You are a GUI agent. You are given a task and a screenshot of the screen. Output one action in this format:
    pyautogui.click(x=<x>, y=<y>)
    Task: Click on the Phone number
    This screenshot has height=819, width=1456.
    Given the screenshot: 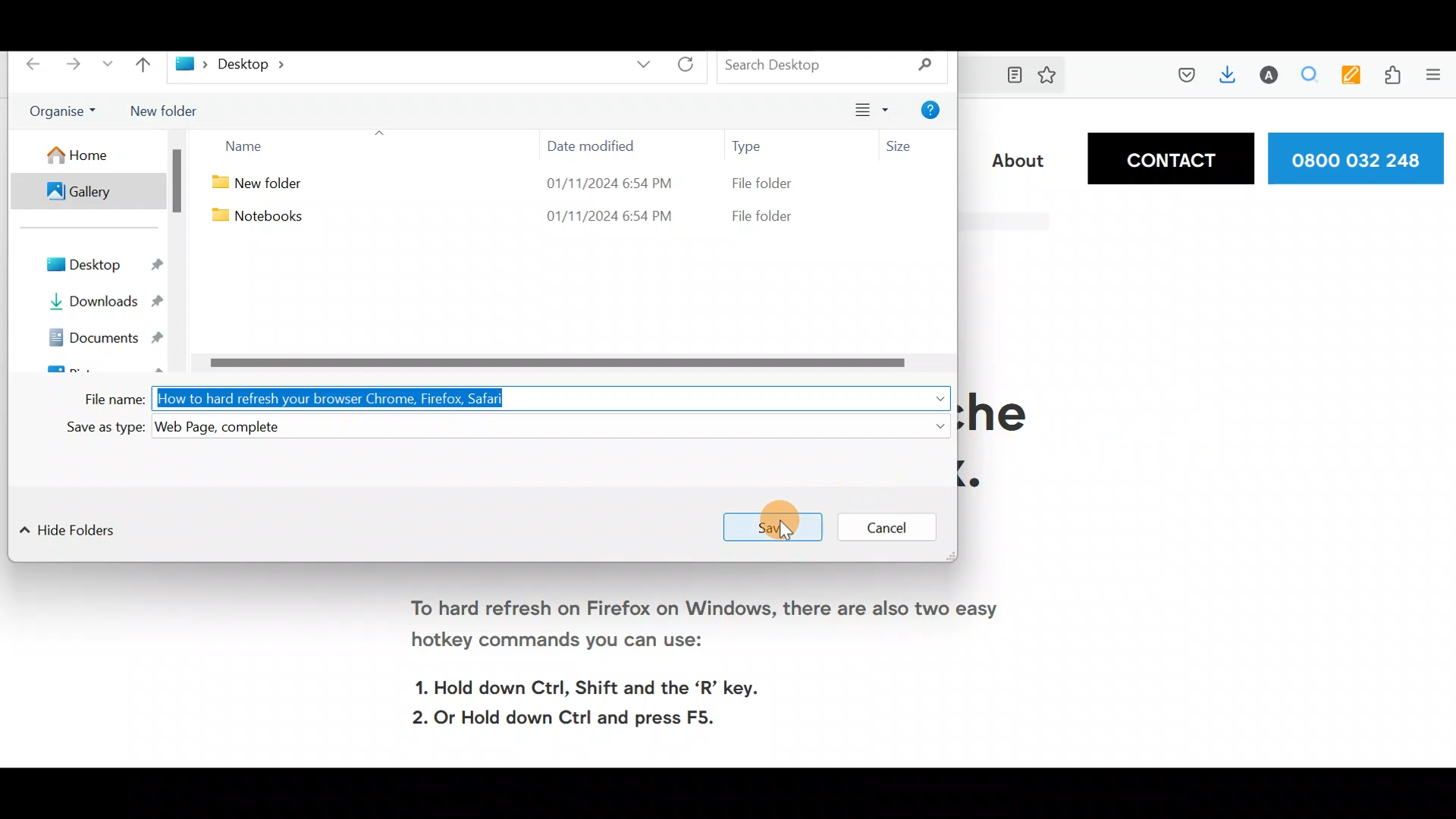 What is the action you would take?
    pyautogui.click(x=1358, y=157)
    